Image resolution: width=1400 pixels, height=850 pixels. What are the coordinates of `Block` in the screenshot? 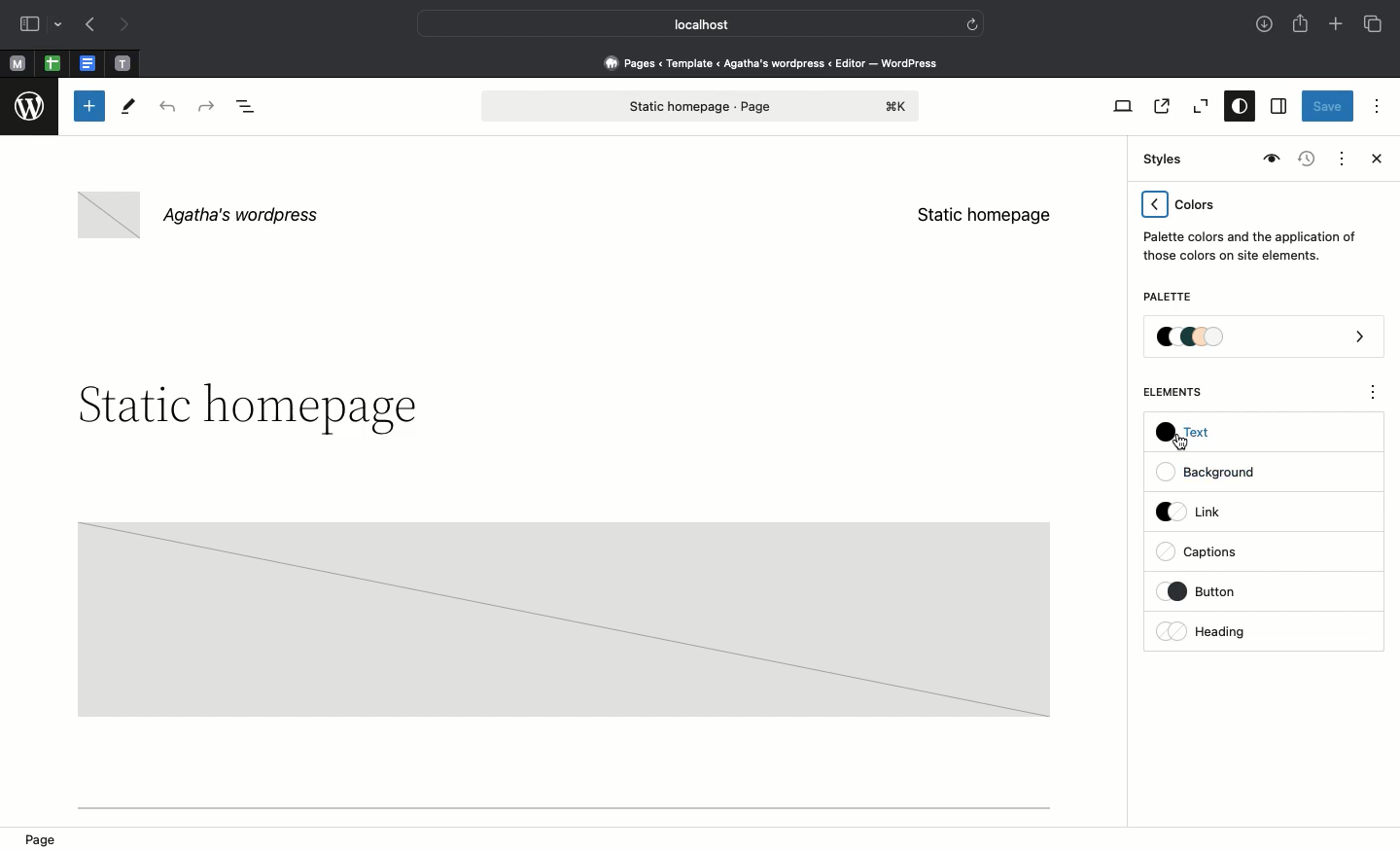 It's located at (562, 618).